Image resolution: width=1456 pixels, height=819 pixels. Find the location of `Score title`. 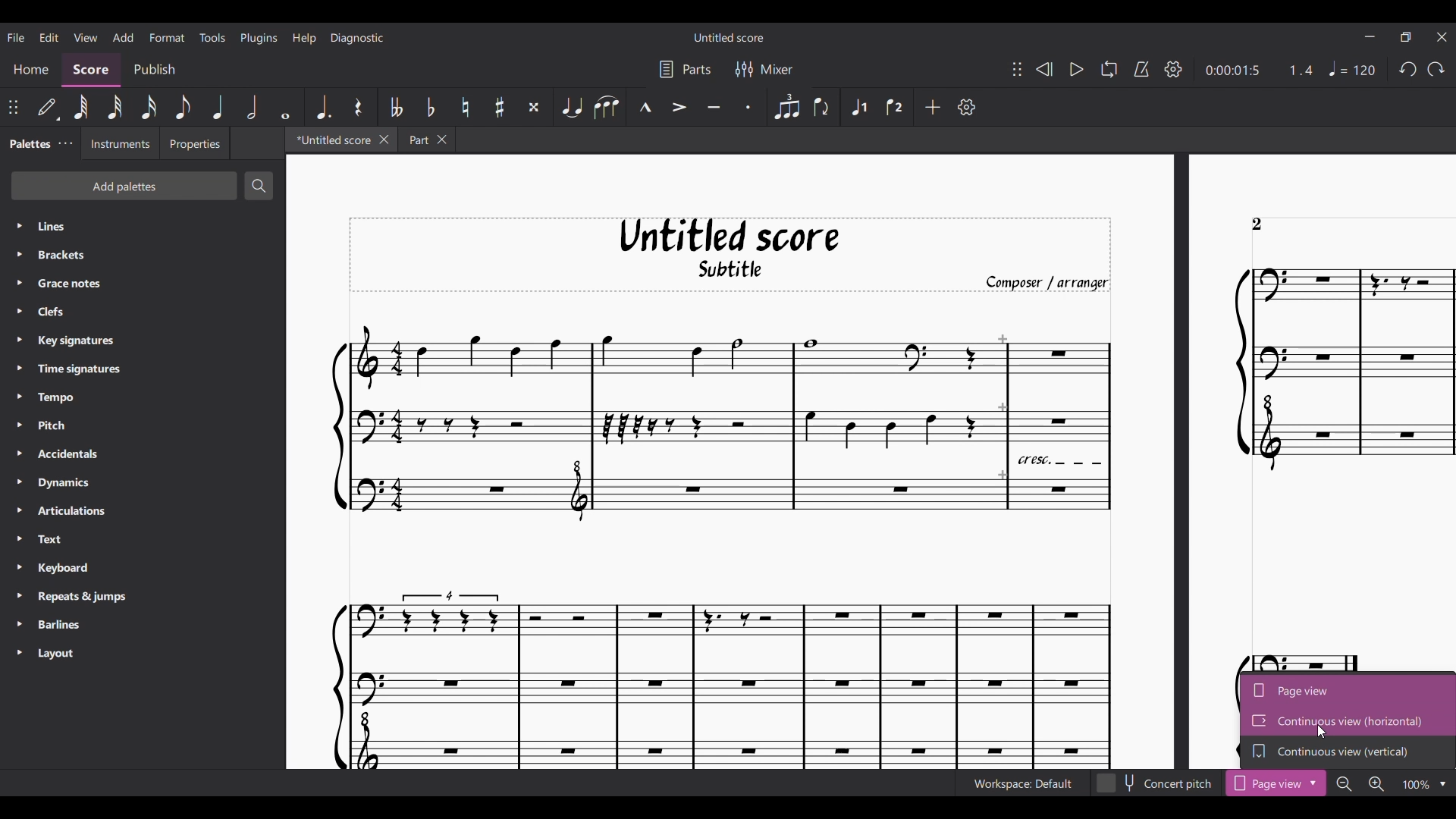

Score title is located at coordinates (730, 37).